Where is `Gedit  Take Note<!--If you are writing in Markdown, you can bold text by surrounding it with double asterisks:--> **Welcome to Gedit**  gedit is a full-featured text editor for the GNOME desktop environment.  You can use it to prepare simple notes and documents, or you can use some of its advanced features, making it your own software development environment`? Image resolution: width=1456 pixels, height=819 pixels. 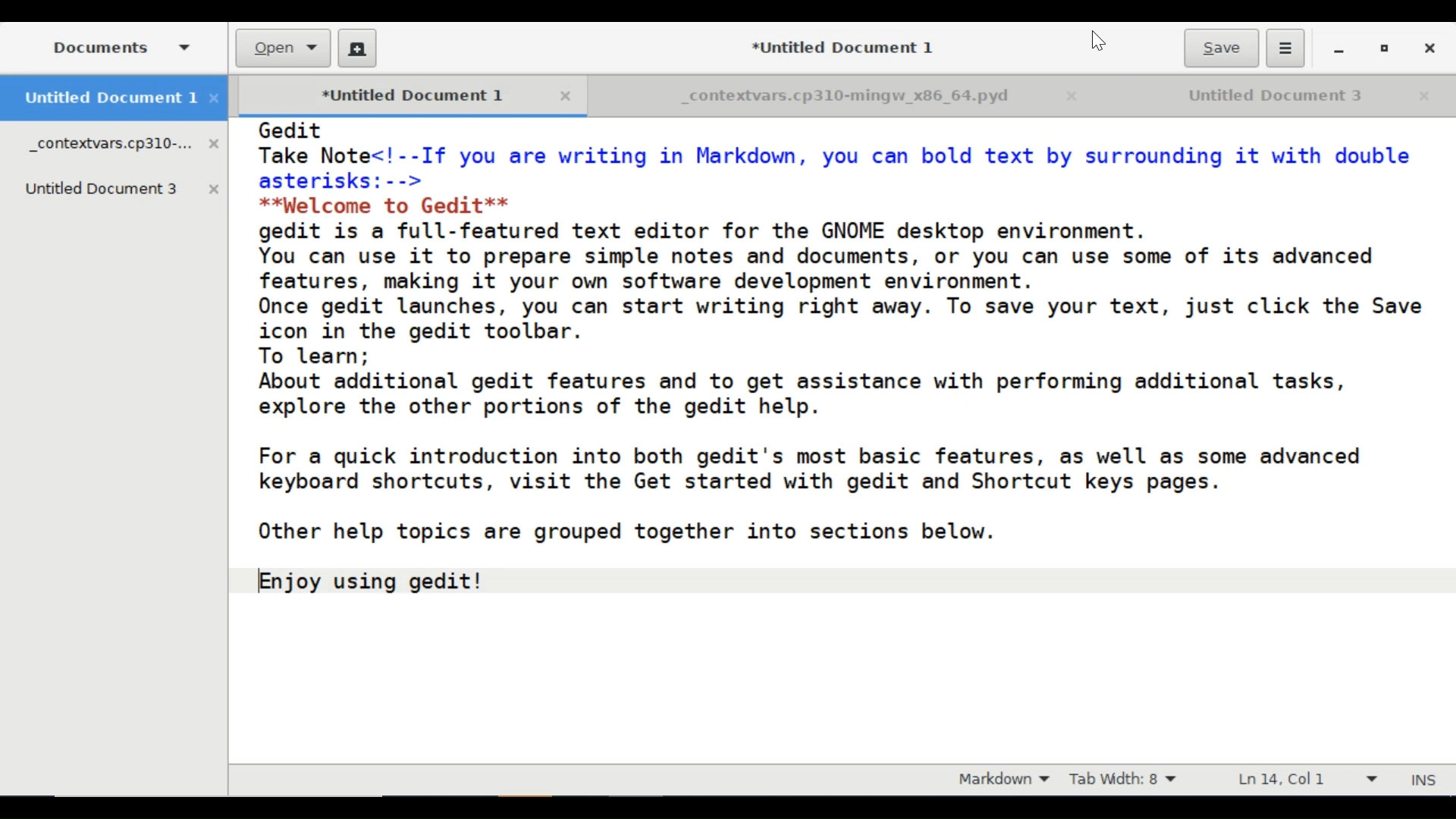
Gedit  Take Note<!--If you are writing in Markdown, you can bold text by surrounding it with double asterisks:--> **Welcome to Gedit**  gedit is a full-featured text editor for the GNOME desktop environment.  You can use it to prepare simple notes and documents, or you can use some of its advanced features, making it your own software development environment is located at coordinates (843, 441).